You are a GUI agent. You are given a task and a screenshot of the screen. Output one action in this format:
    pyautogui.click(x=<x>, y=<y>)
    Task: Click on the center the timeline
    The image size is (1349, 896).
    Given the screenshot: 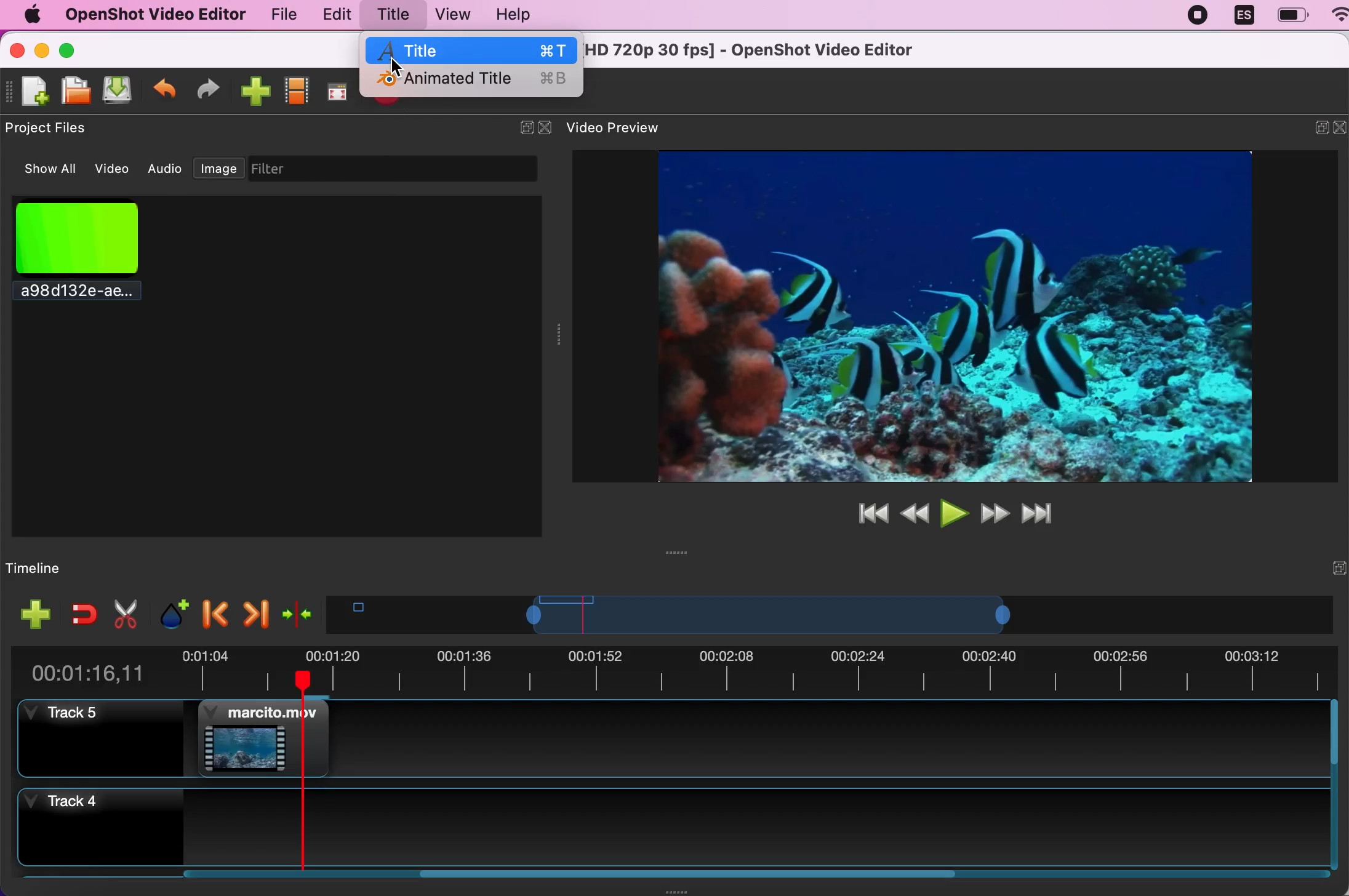 What is the action you would take?
    pyautogui.click(x=297, y=612)
    